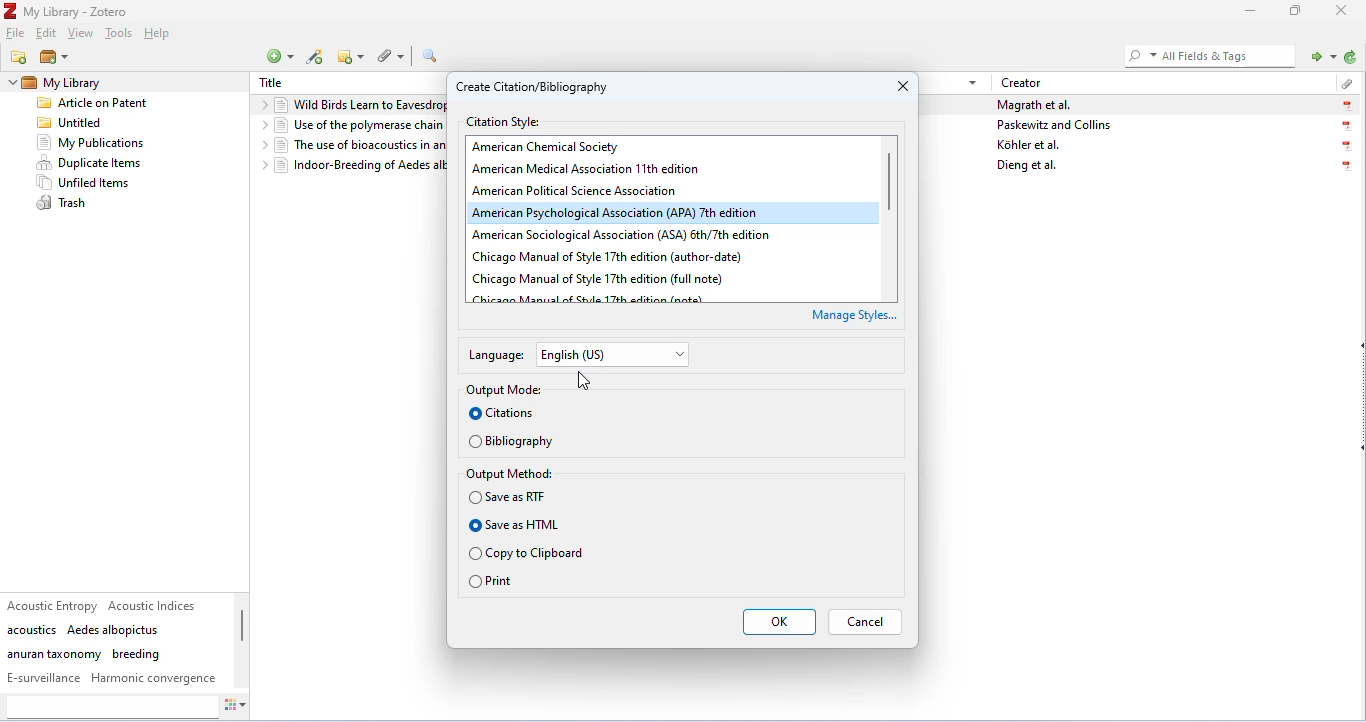  I want to click on duplicate items, so click(90, 163).